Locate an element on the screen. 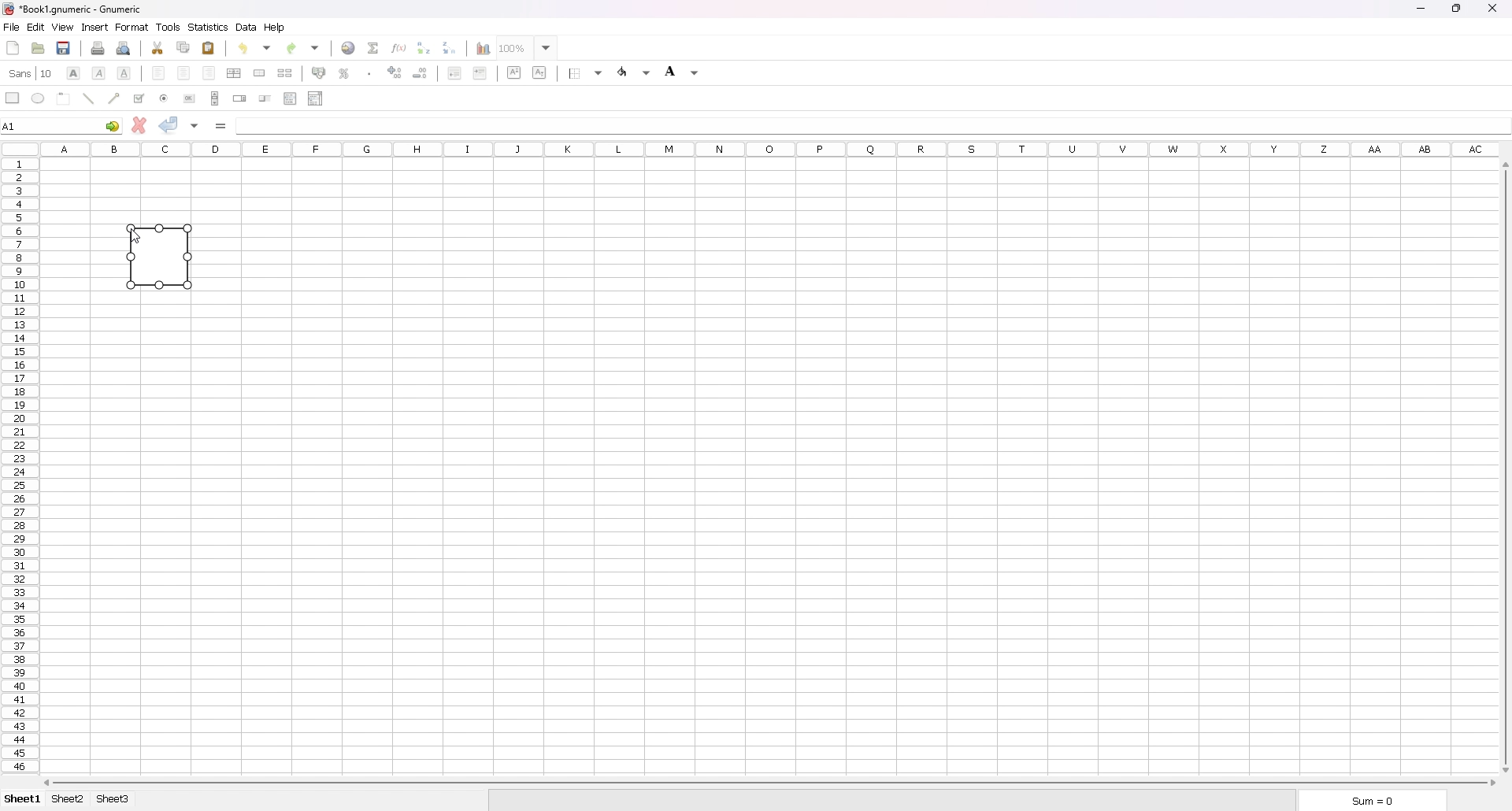 The height and width of the screenshot is (811, 1512). increase indent is located at coordinates (480, 73).